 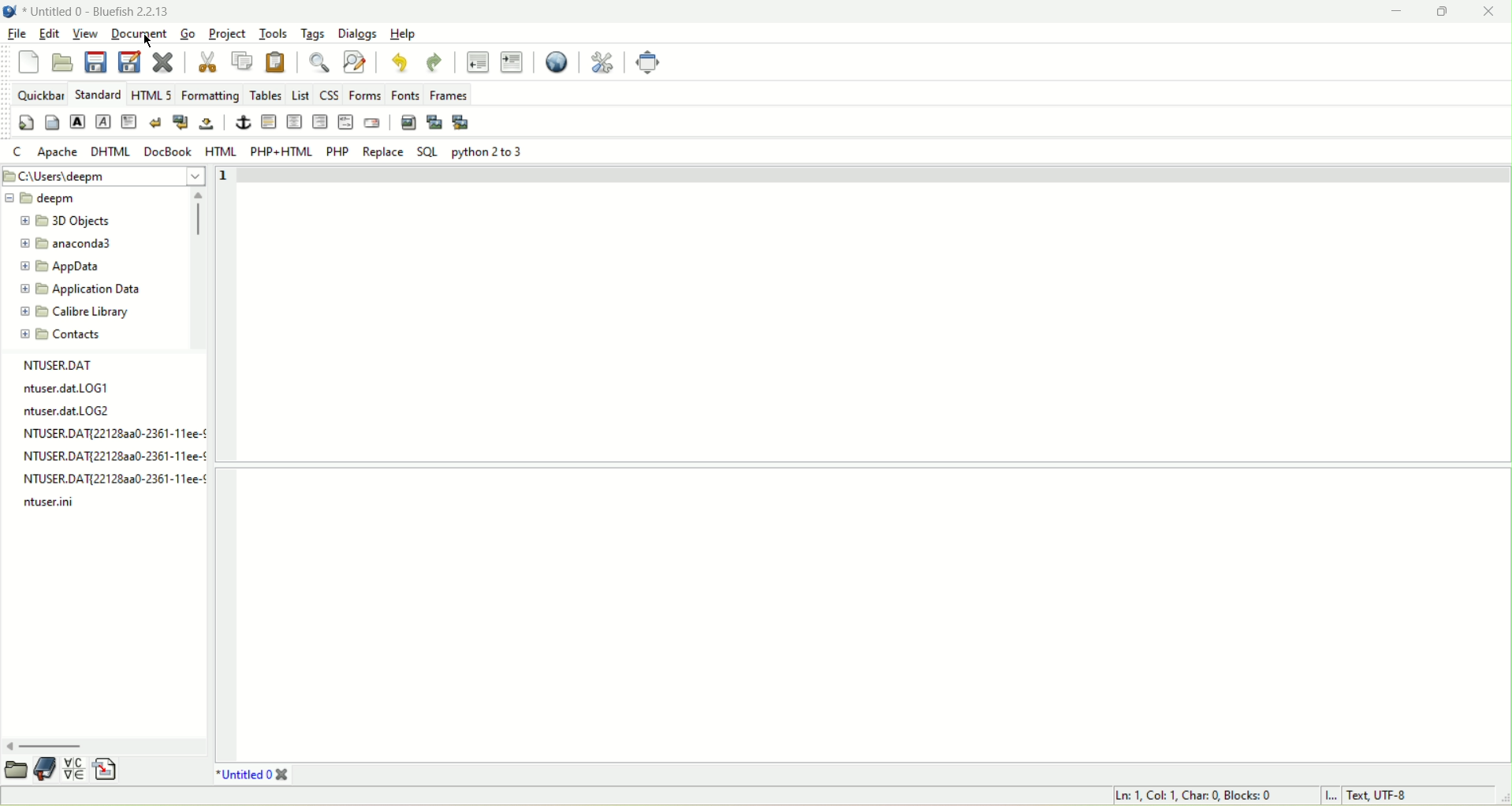 What do you see at coordinates (156, 121) in the screenshot?
I see `line break` at bounding box center [156, 121].